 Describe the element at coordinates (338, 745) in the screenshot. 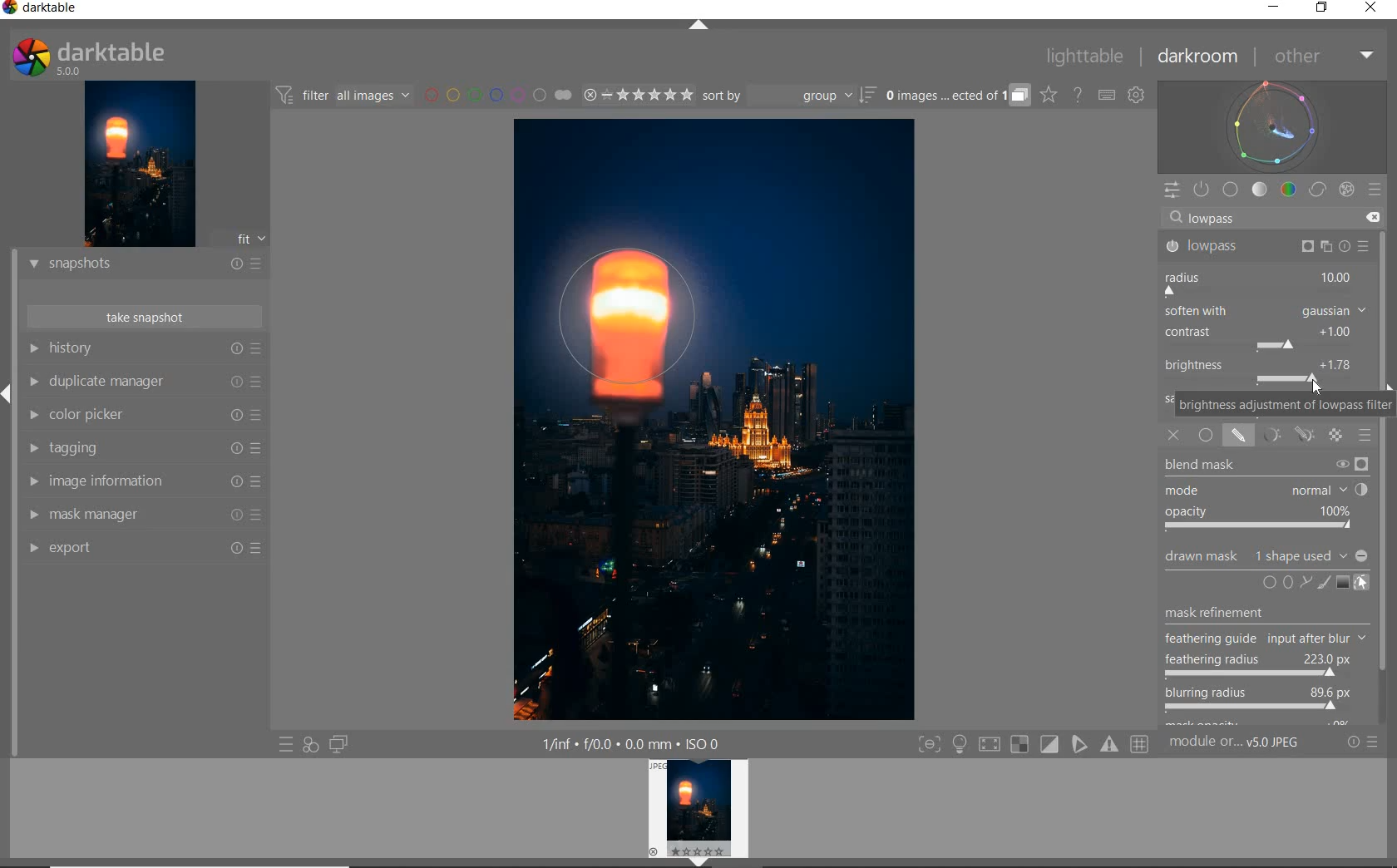

I see `DISPLAY A SECOND DARKROOM IMAGE WINDOW` at that location.